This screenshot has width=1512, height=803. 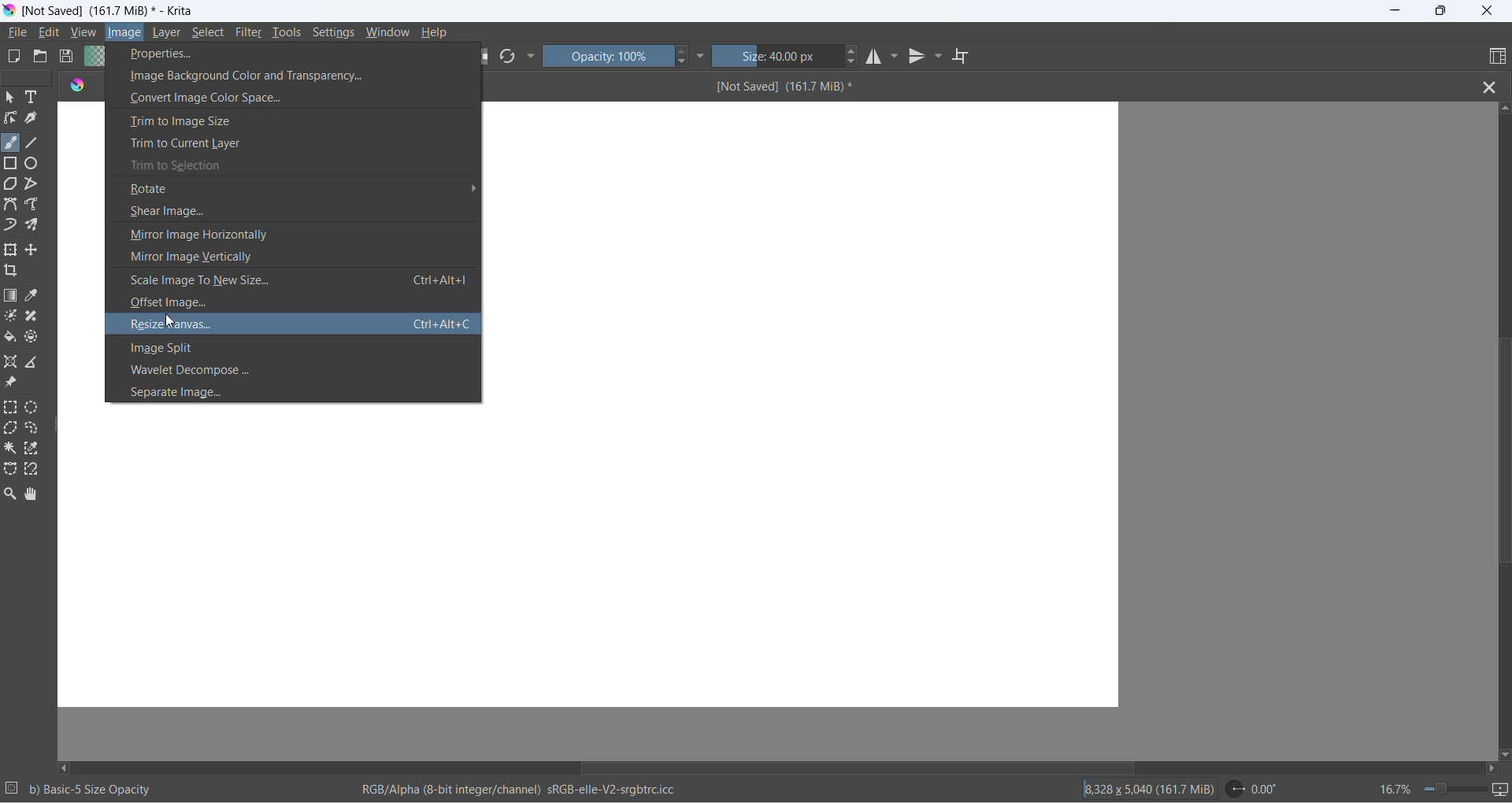 What do you see at coordinates (1396, 12) in the screenshot?
I see `minimize` at bounding box center [1396, 12].